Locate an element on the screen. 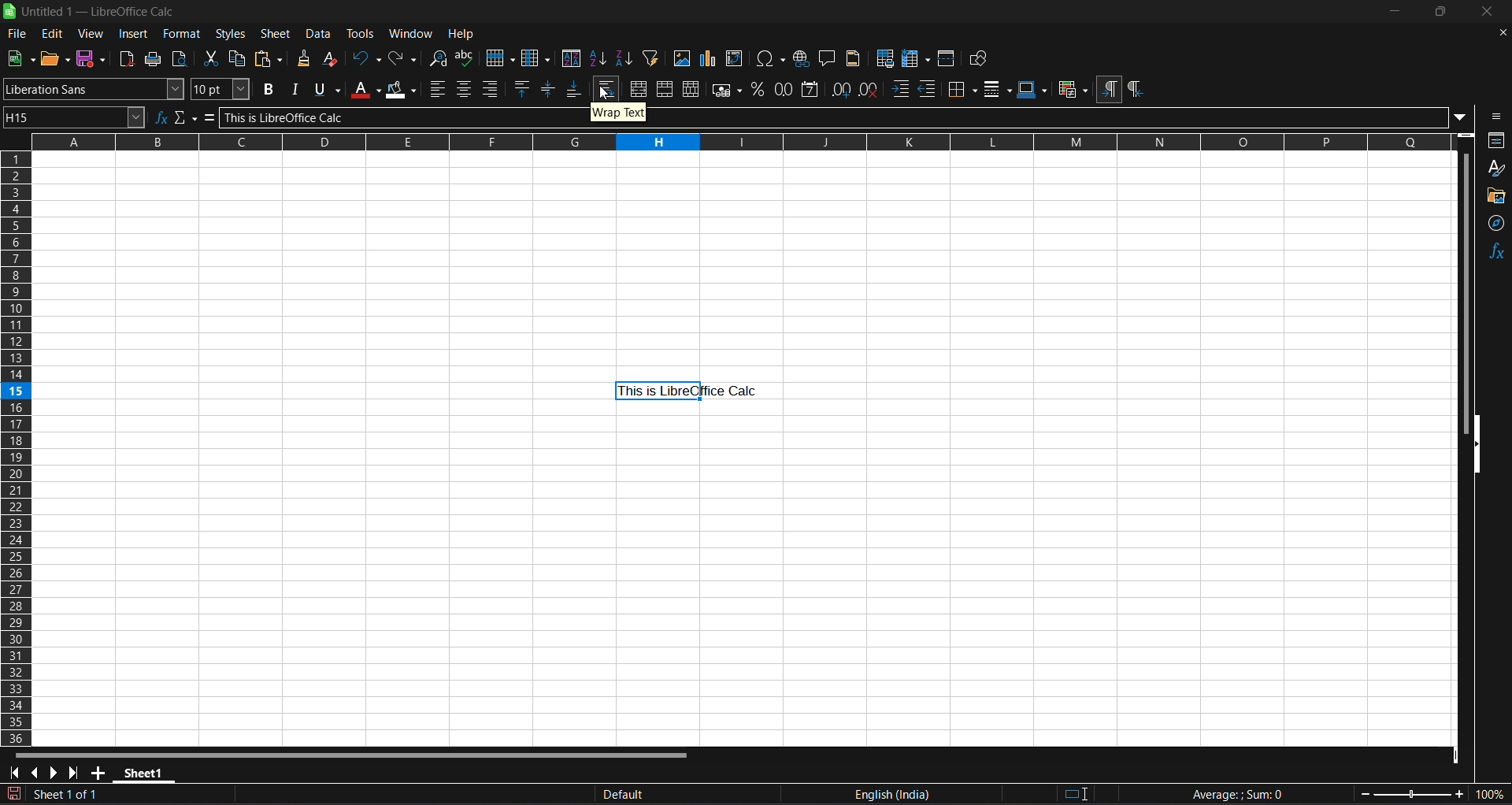  paste is located at coordinates (269, 57).